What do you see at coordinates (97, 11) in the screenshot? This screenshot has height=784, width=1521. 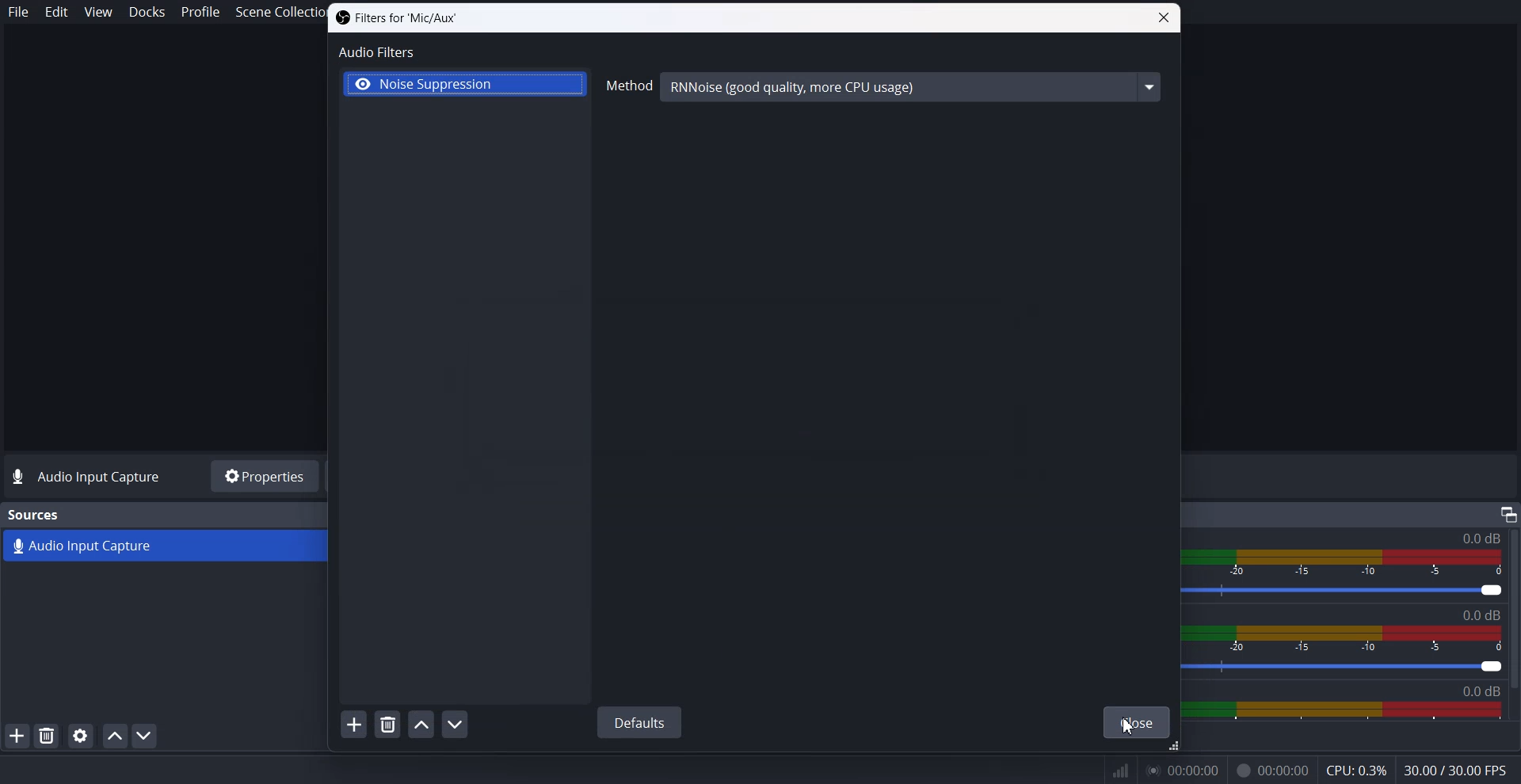 I see `View` at bounding box center [97, 11].